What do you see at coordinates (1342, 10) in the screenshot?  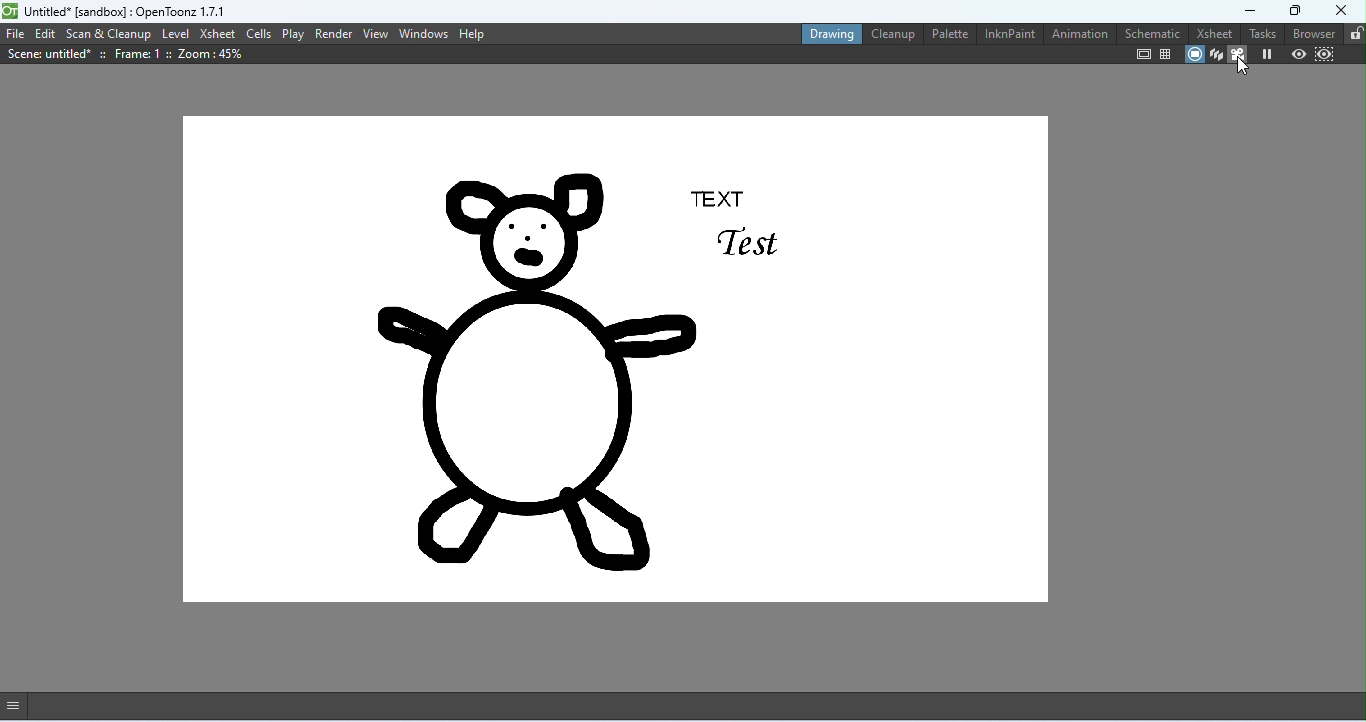 I see `close` at bounding box center [1342, 10].